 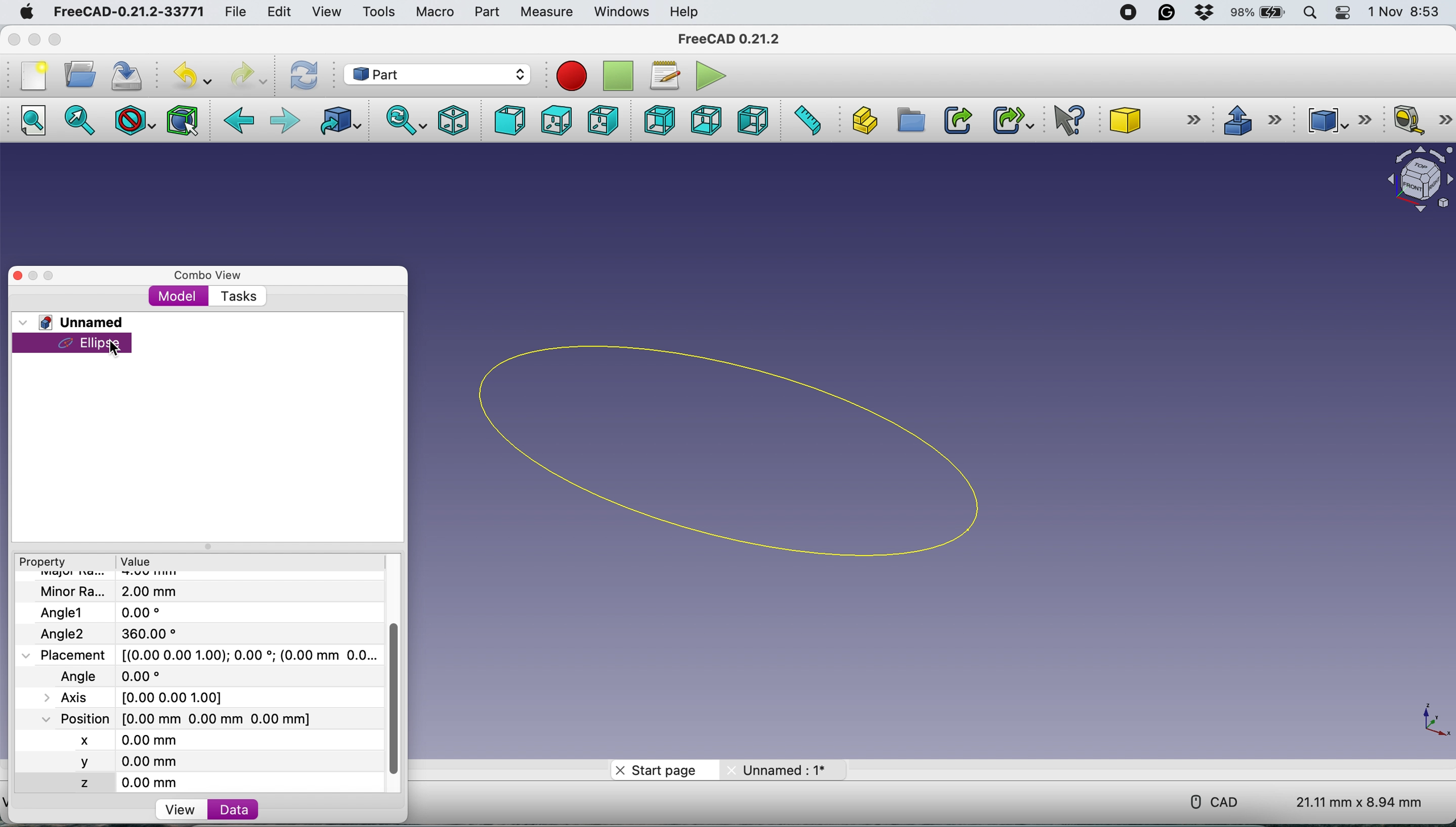 What do you see at coordinates (1072, 121) in the screenshot?
I see `what's this` at bounding box center [1072, 121].